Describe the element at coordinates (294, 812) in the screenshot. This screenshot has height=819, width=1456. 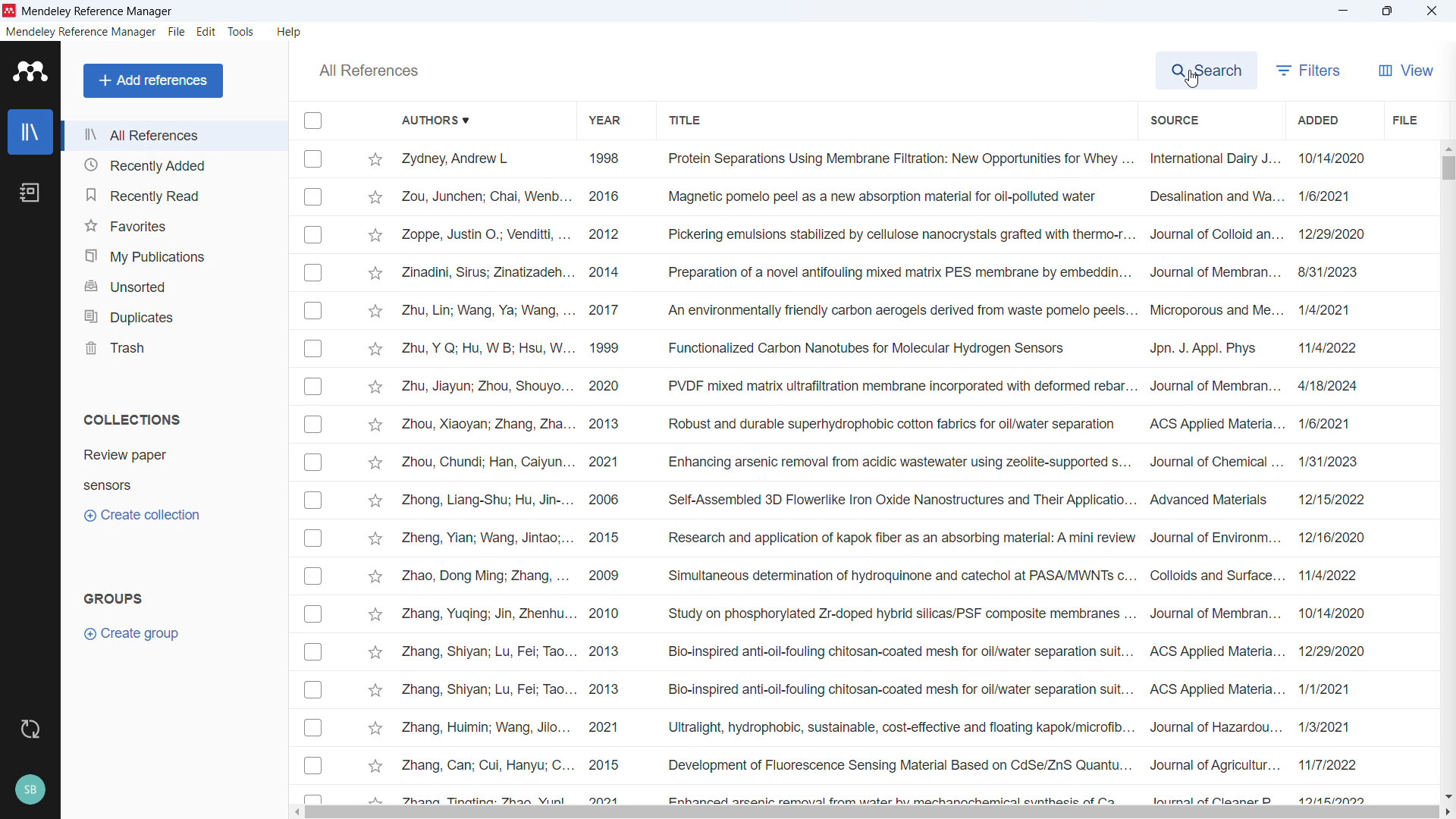
I see `Scroll left ` at that location.